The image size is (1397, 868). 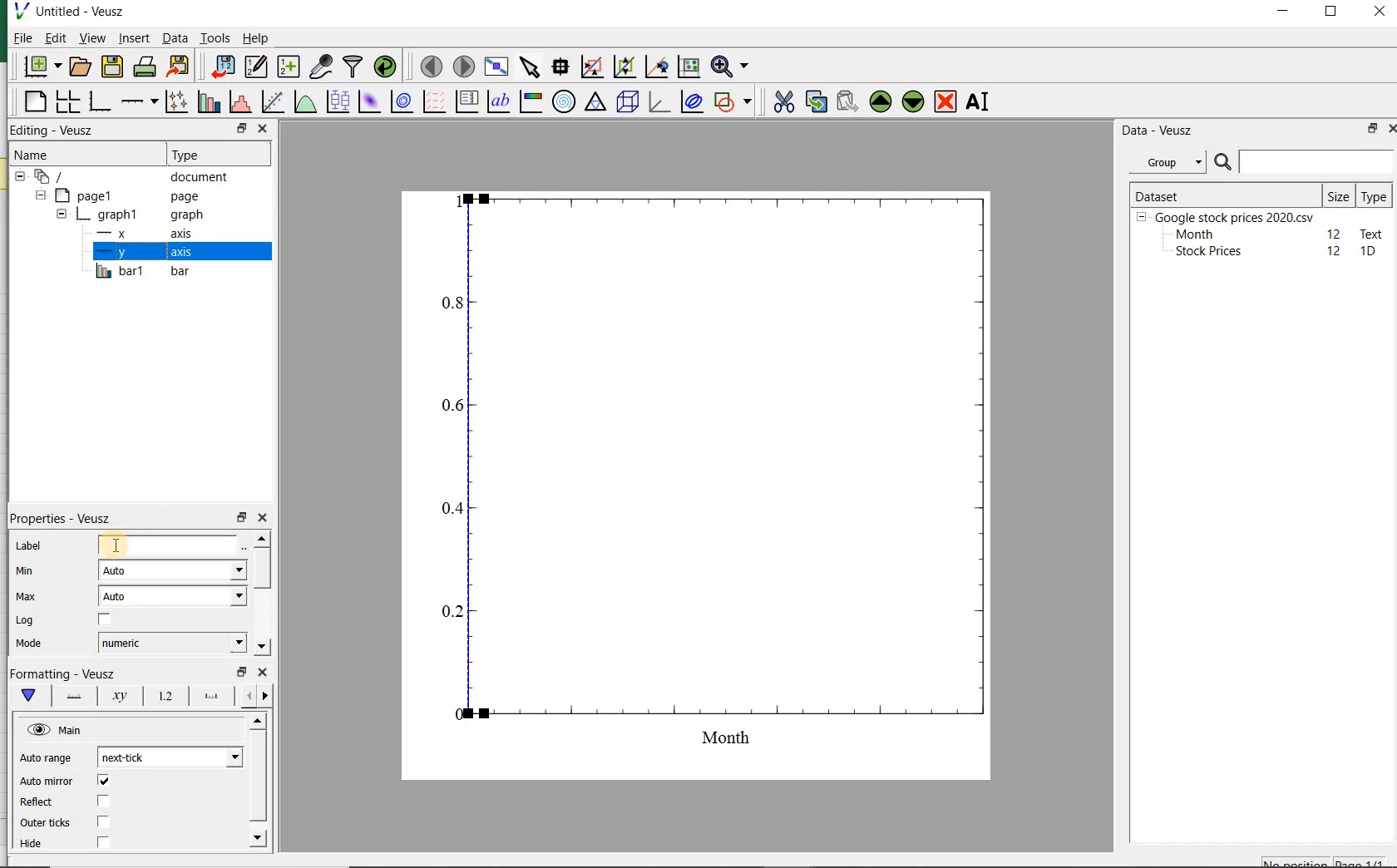 What do you see at coordinates (708, 481) in the screenshot?
I see `graph` at bounding box center [708, 481].